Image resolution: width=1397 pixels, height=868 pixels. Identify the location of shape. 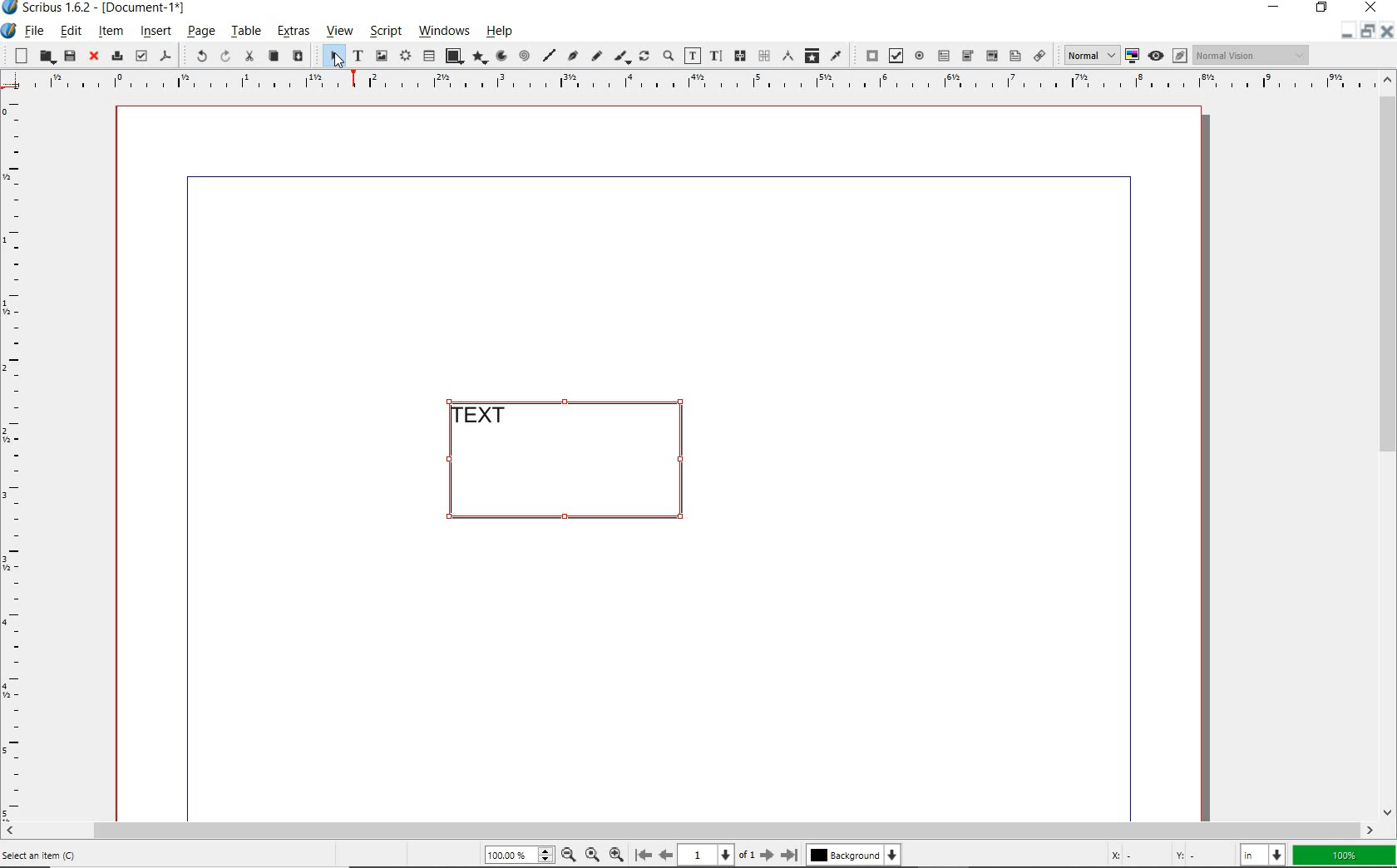
(453, 55).